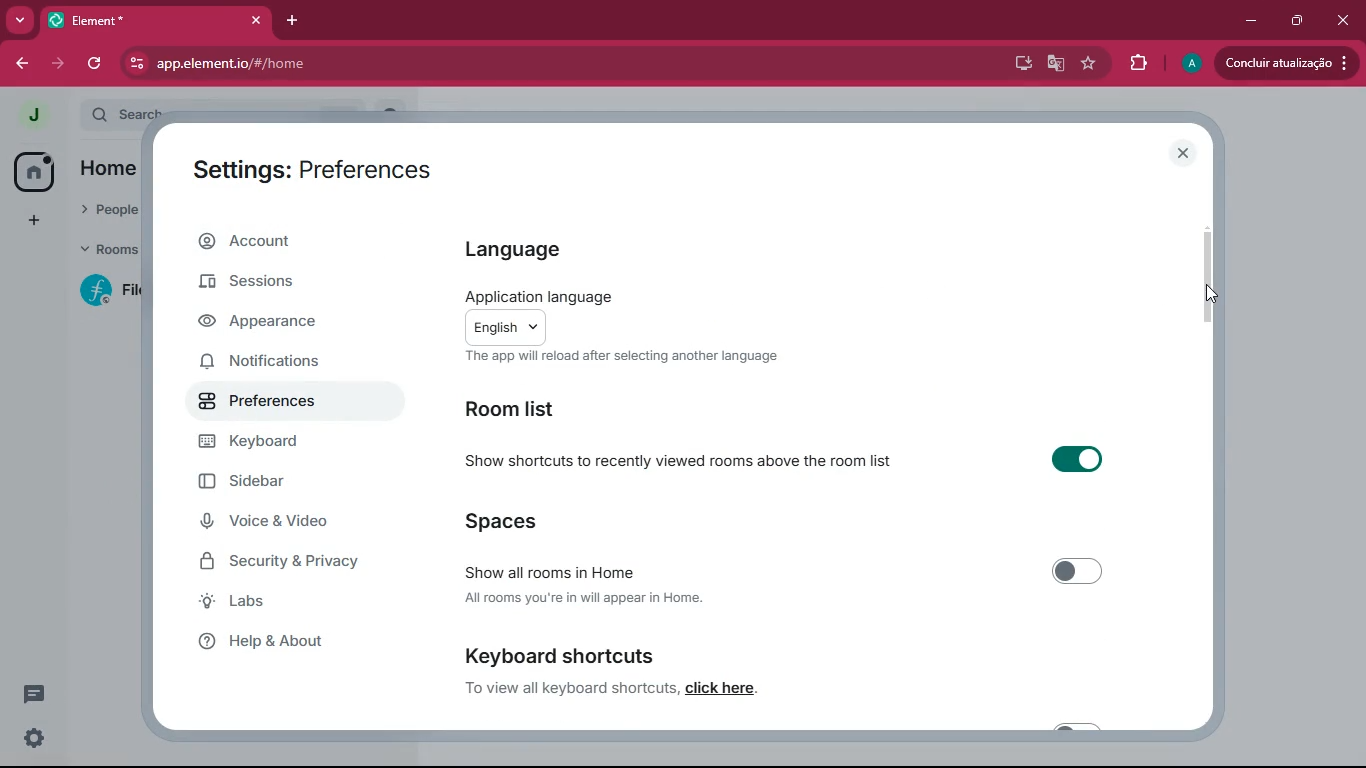 This screenshot has width=1366, height=768. Describe the element at coordinates (1295, 20) in the screenshot. I see `restore down` at that location.